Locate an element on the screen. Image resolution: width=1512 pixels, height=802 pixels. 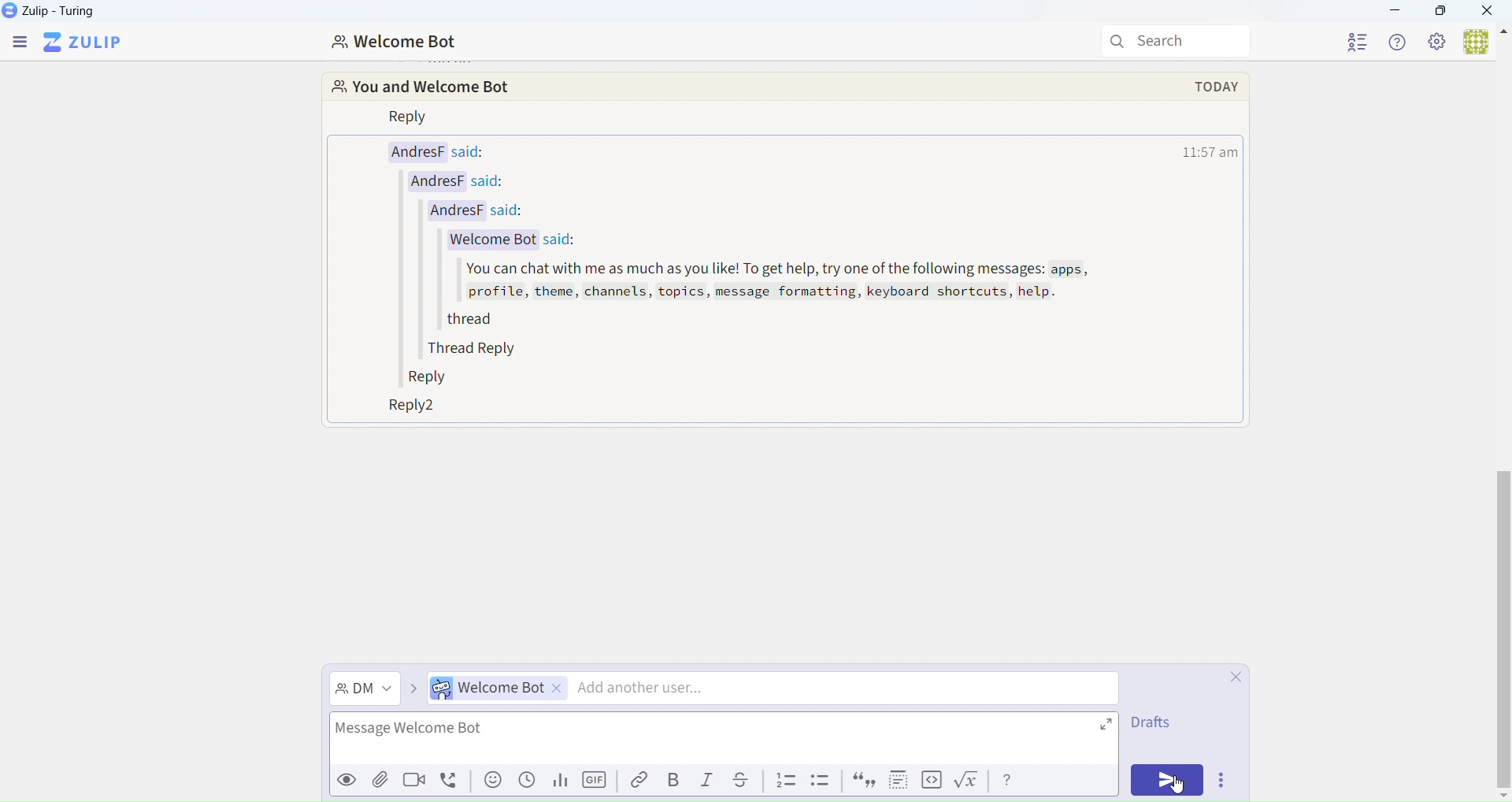
Close is located at coordinates (1488, 12).